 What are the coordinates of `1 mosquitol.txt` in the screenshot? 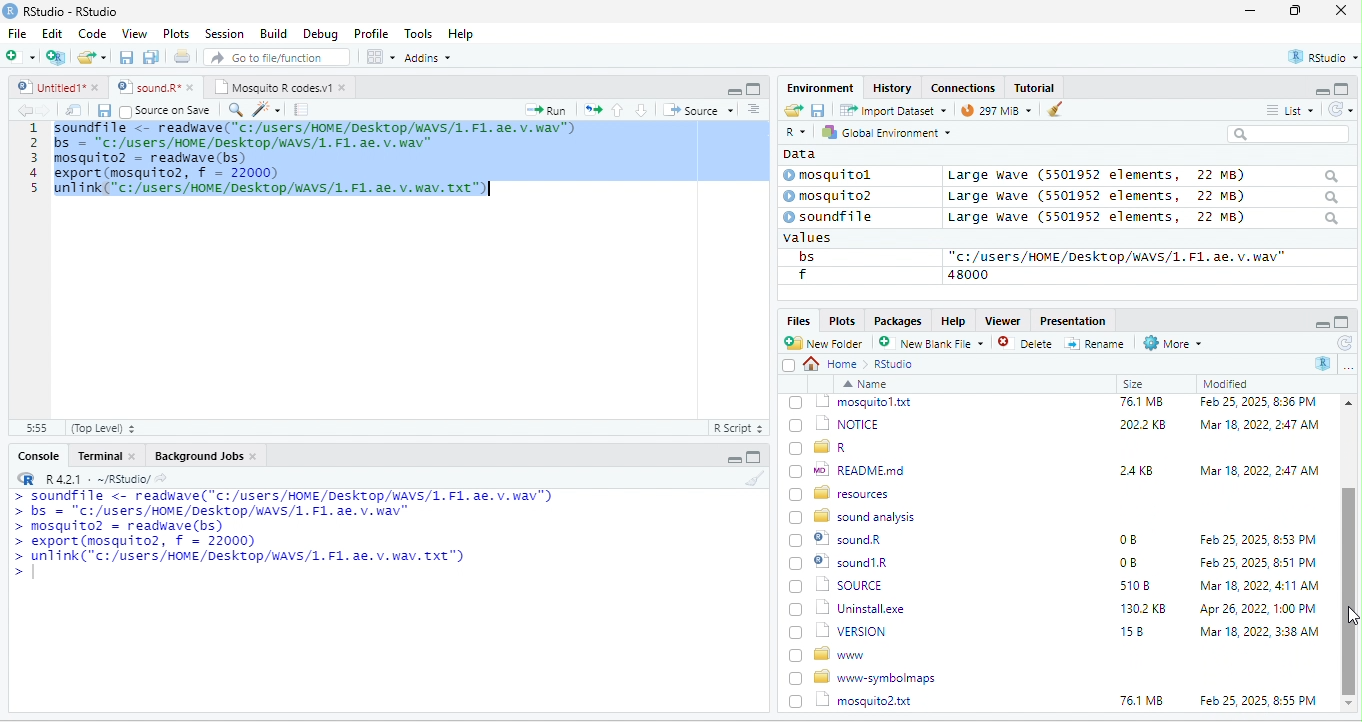 It's located at (844, 519).